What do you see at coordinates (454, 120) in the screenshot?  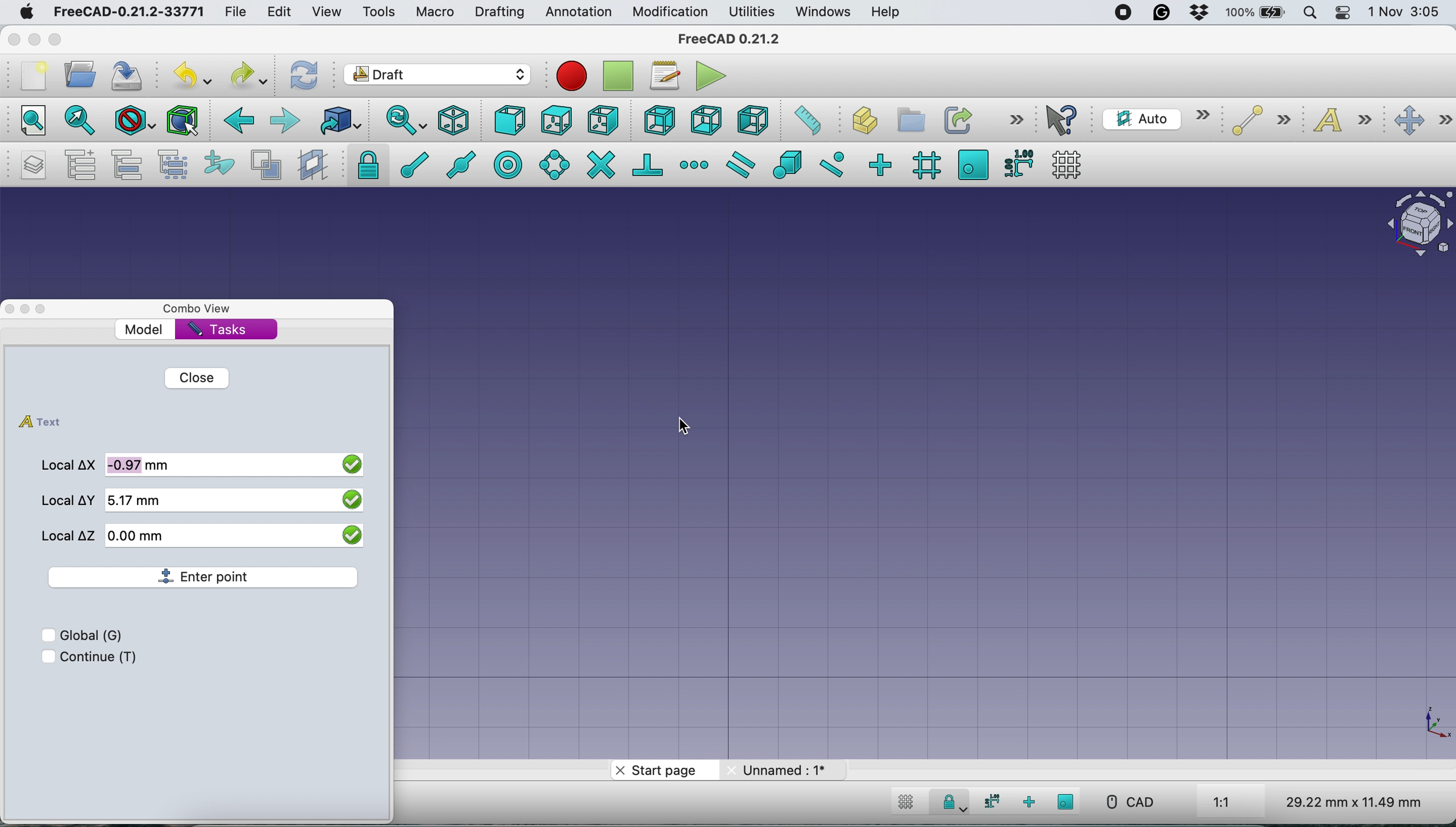 I see `isometric` at bounding box center [454, 120].